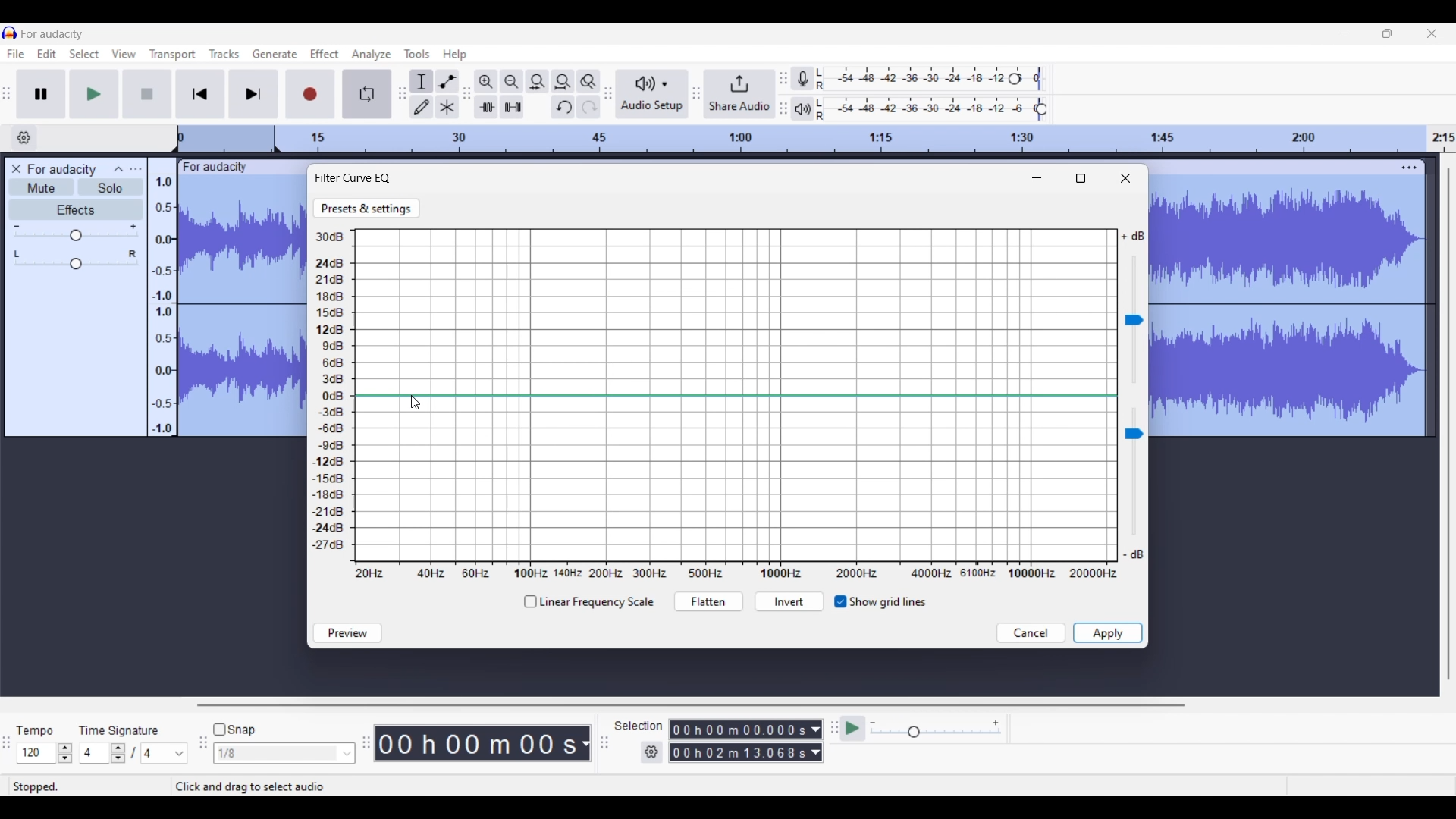 The width and height of the screenshot is (1456, 819). What do you see at coordinates (36, 753) in the screenshot?
I see `Type in tempo` at bounding box center [36, 753].